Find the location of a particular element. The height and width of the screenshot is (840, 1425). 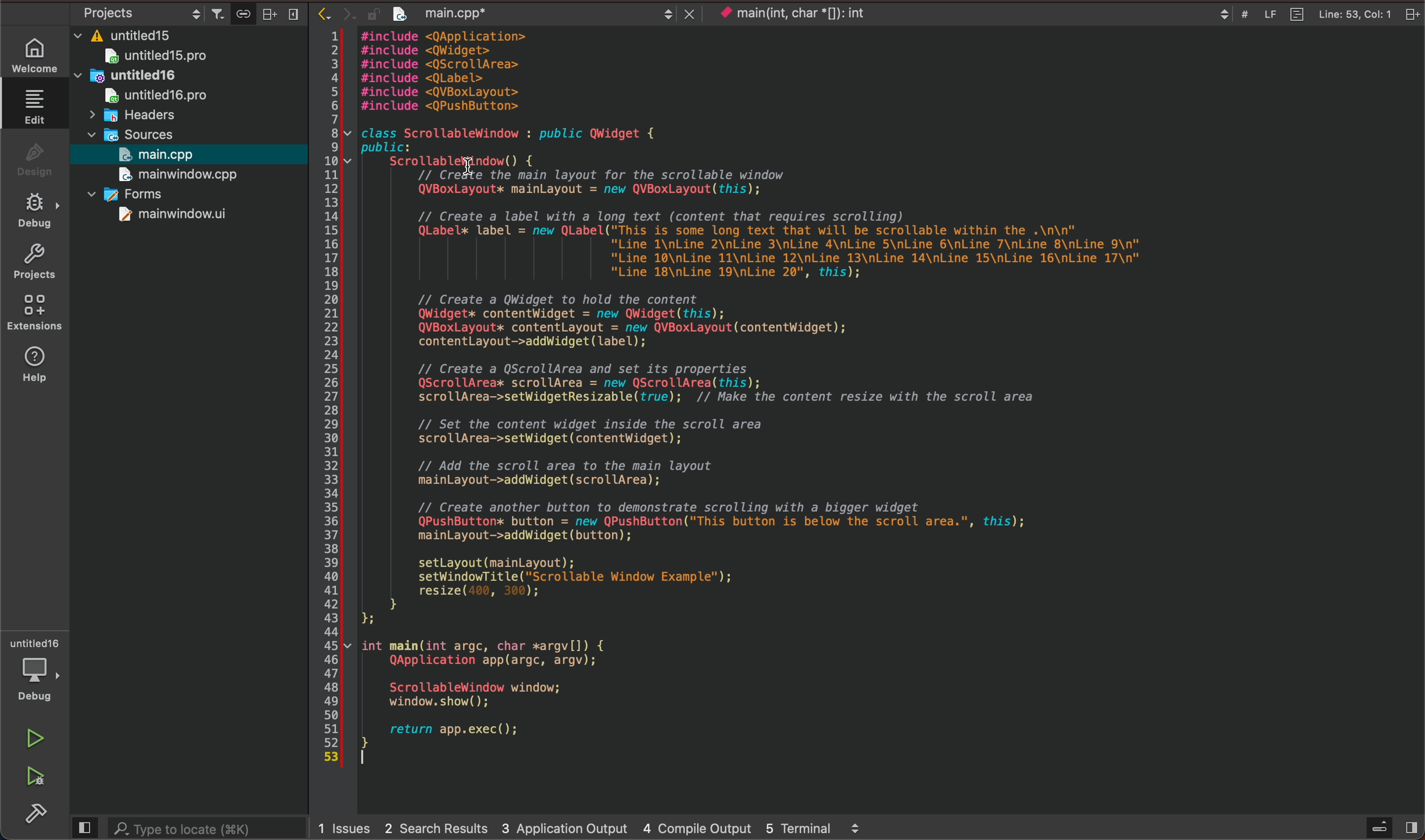

current context is located at coordinates (807, 15).